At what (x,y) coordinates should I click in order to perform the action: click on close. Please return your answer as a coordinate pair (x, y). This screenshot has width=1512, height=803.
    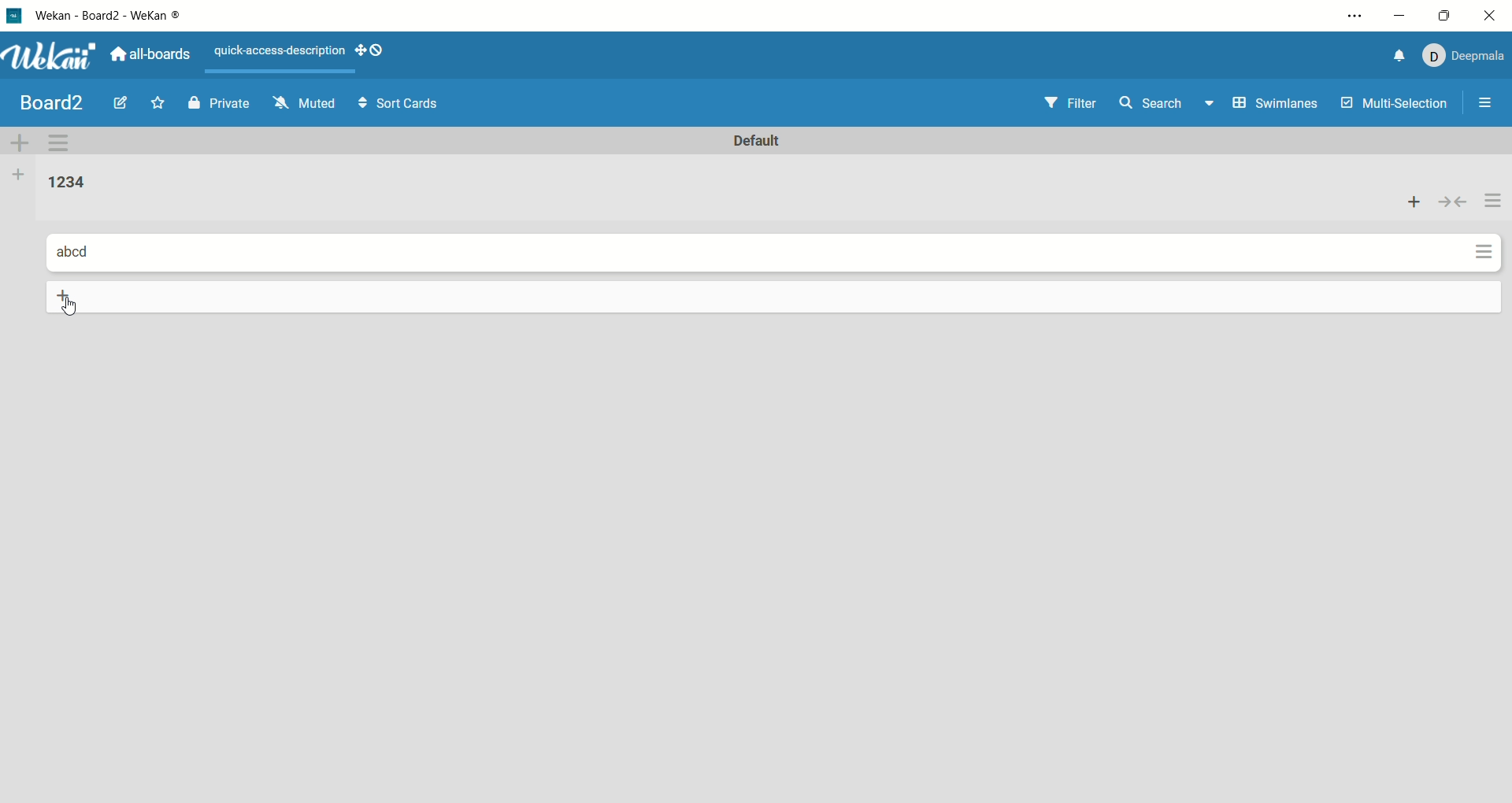
    Looking at the image, I should click on (1493, 17).